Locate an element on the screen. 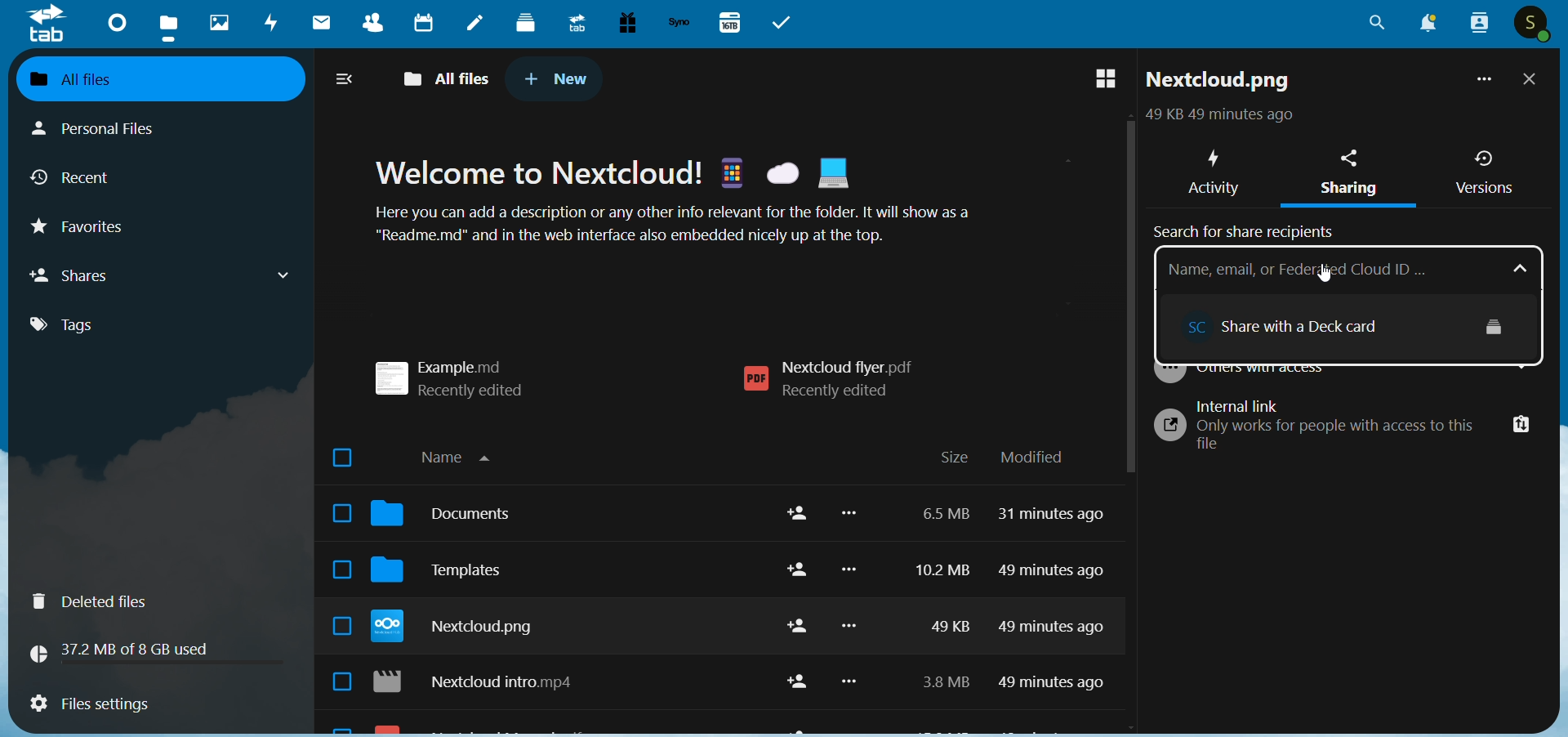  search dropdown is located at coordinates (1524, 268).